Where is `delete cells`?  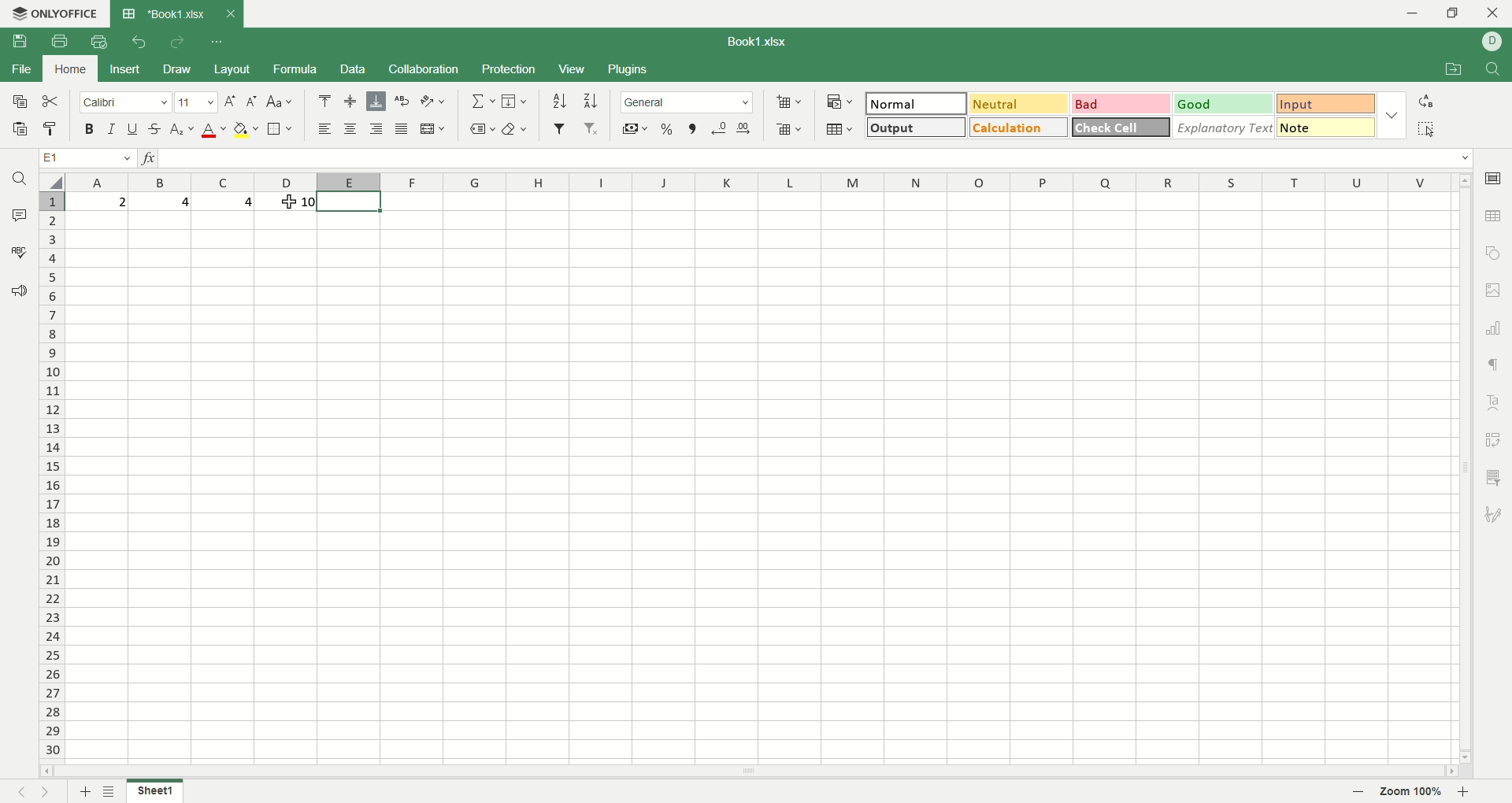 delete cells is located at coordinates (789, 129).